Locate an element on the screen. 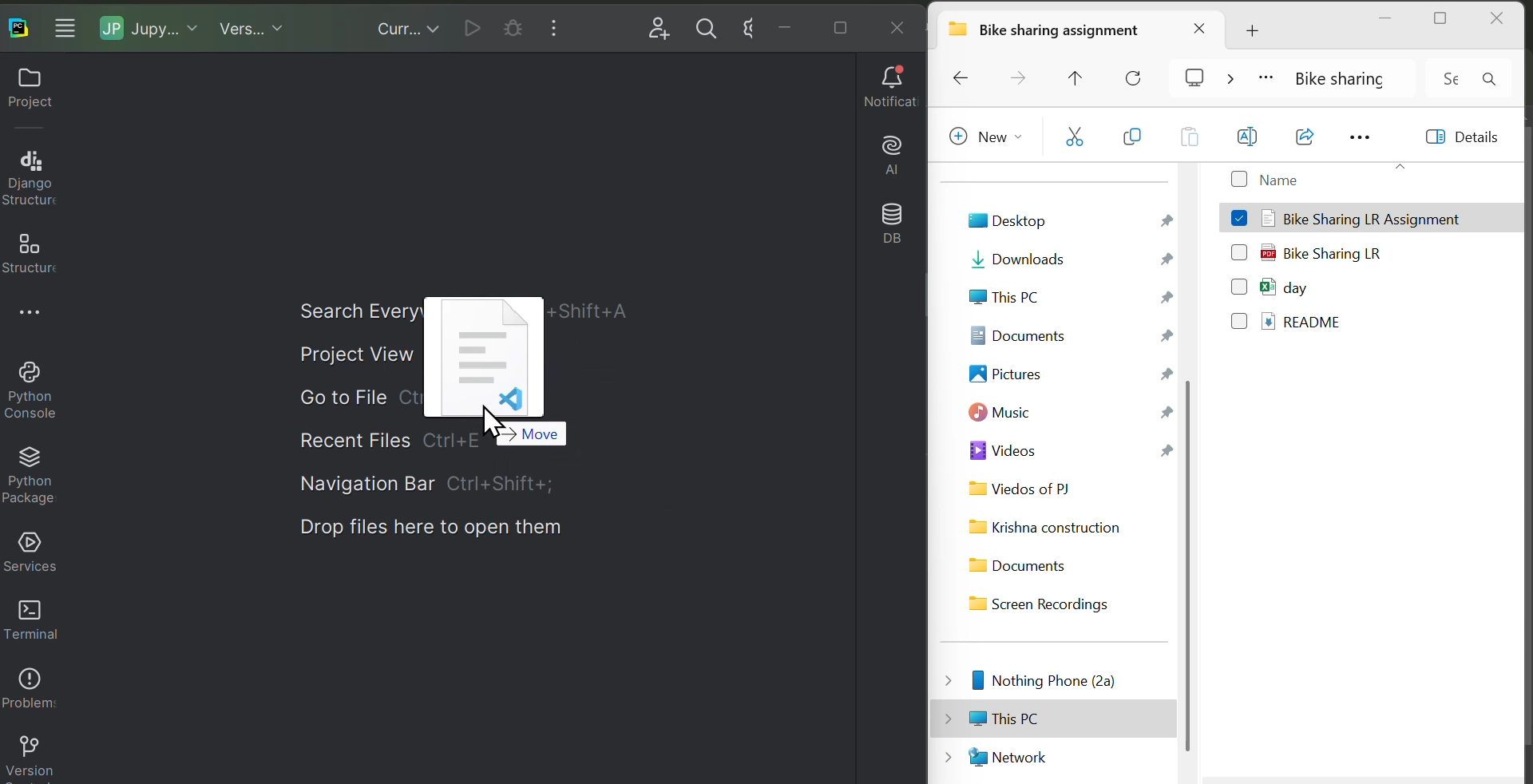  cut is located at coordinates (1075, 139).